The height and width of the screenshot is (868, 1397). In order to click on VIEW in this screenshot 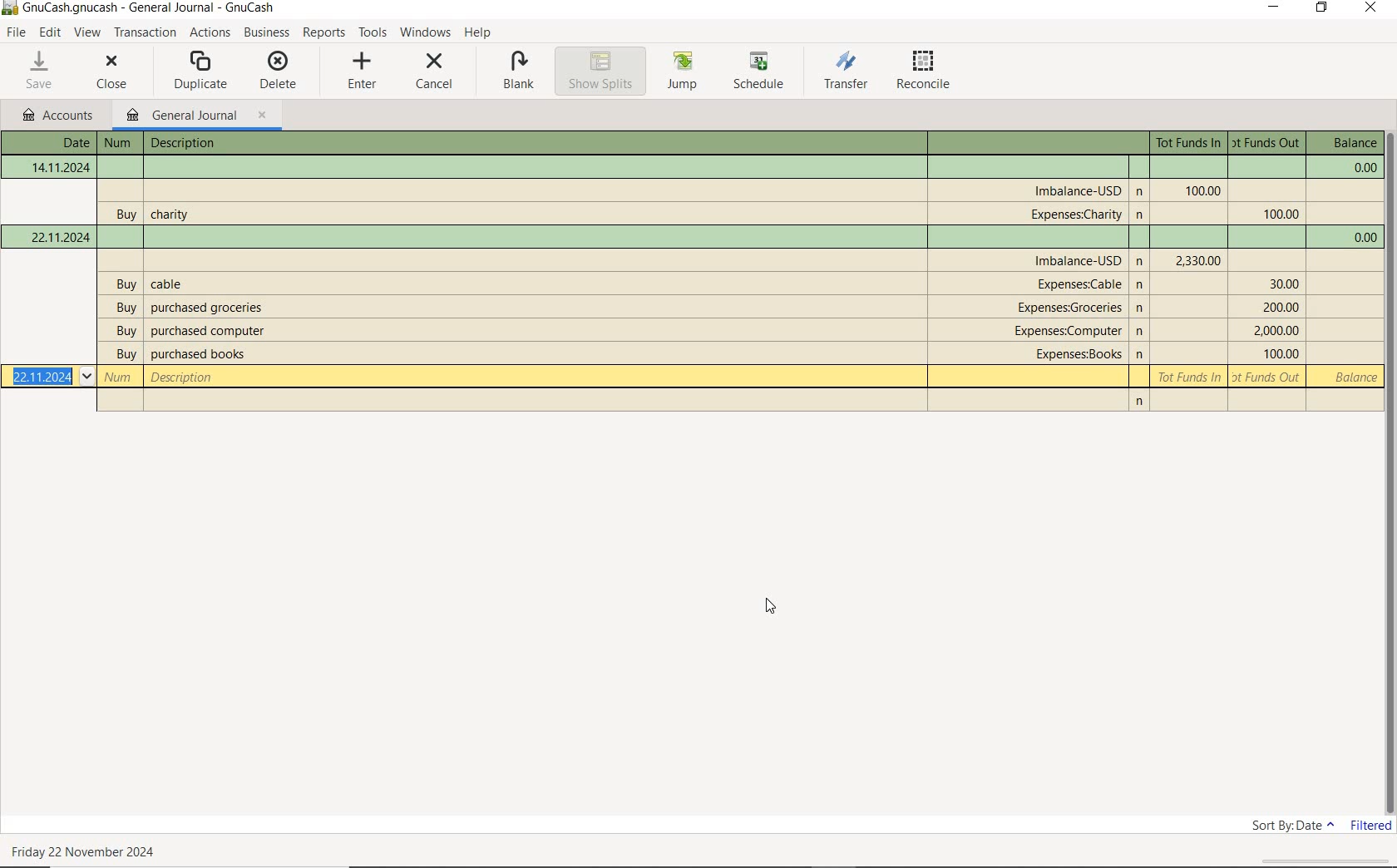, I will do `click(89, 33)`.